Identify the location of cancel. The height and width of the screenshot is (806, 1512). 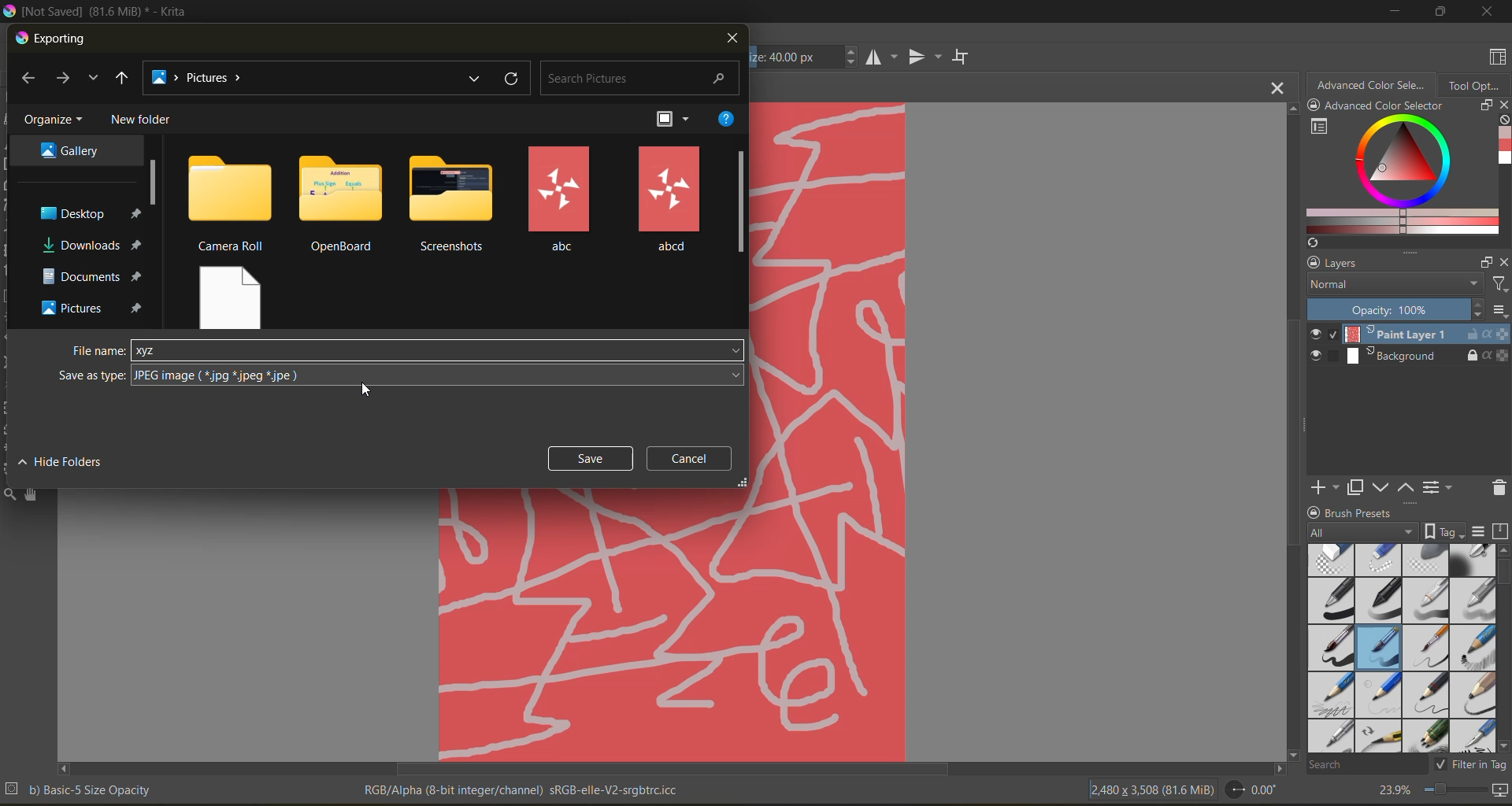
(695, 458).